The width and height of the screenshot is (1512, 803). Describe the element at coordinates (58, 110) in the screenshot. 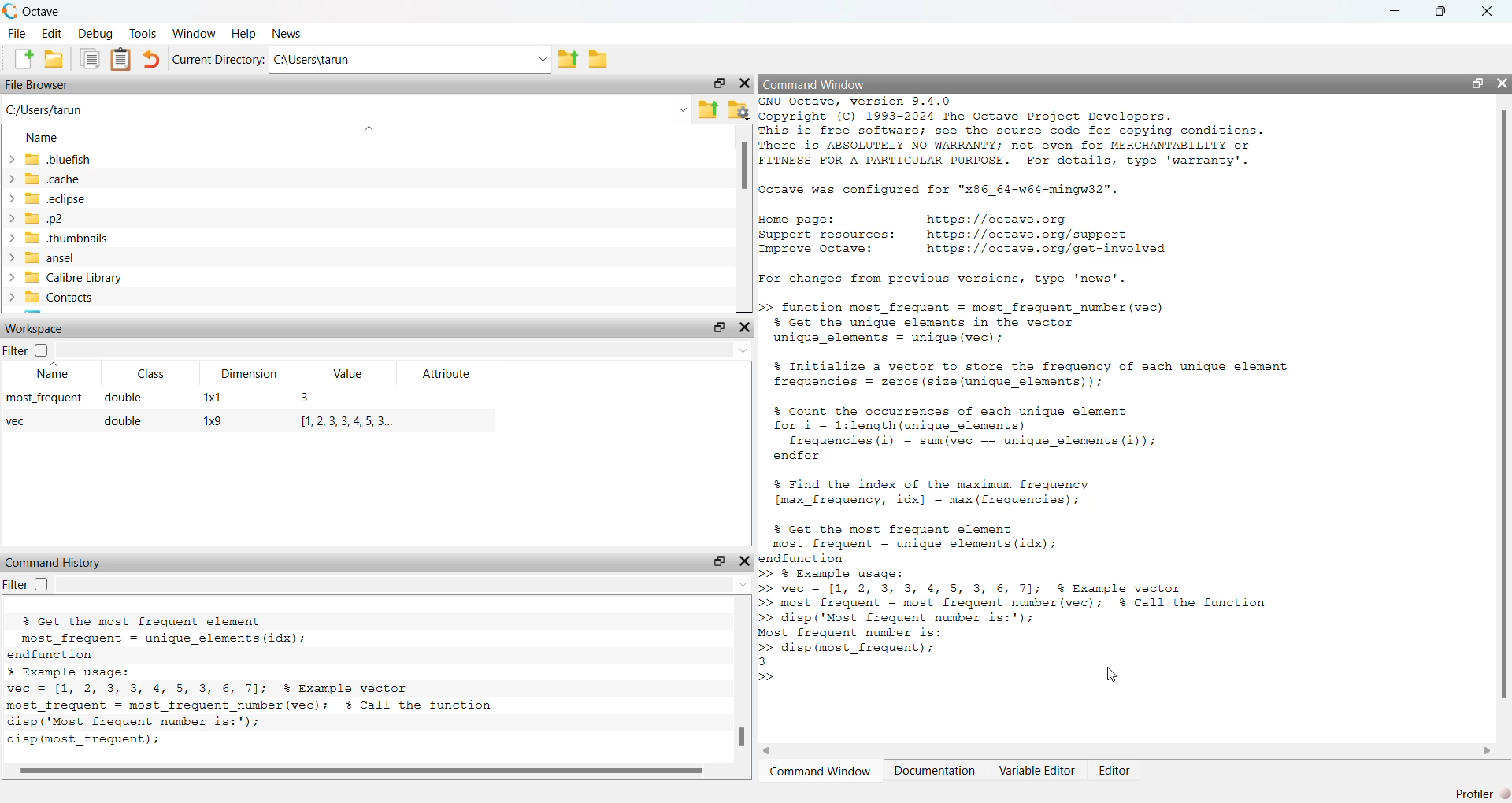

I see `C:/Users/tarun` at that location.